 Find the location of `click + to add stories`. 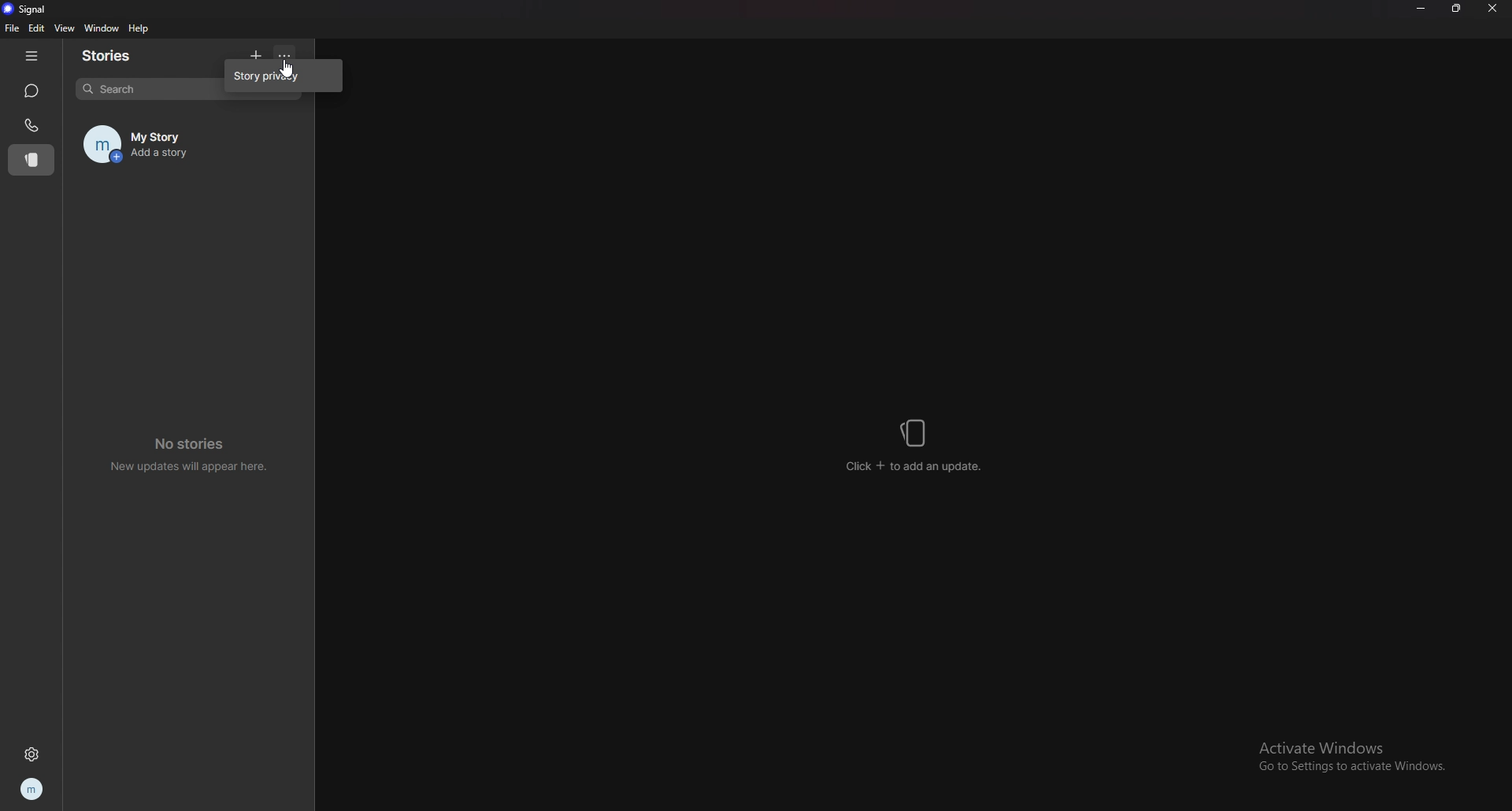

click + to add stories is located at coordinates (919, 446).